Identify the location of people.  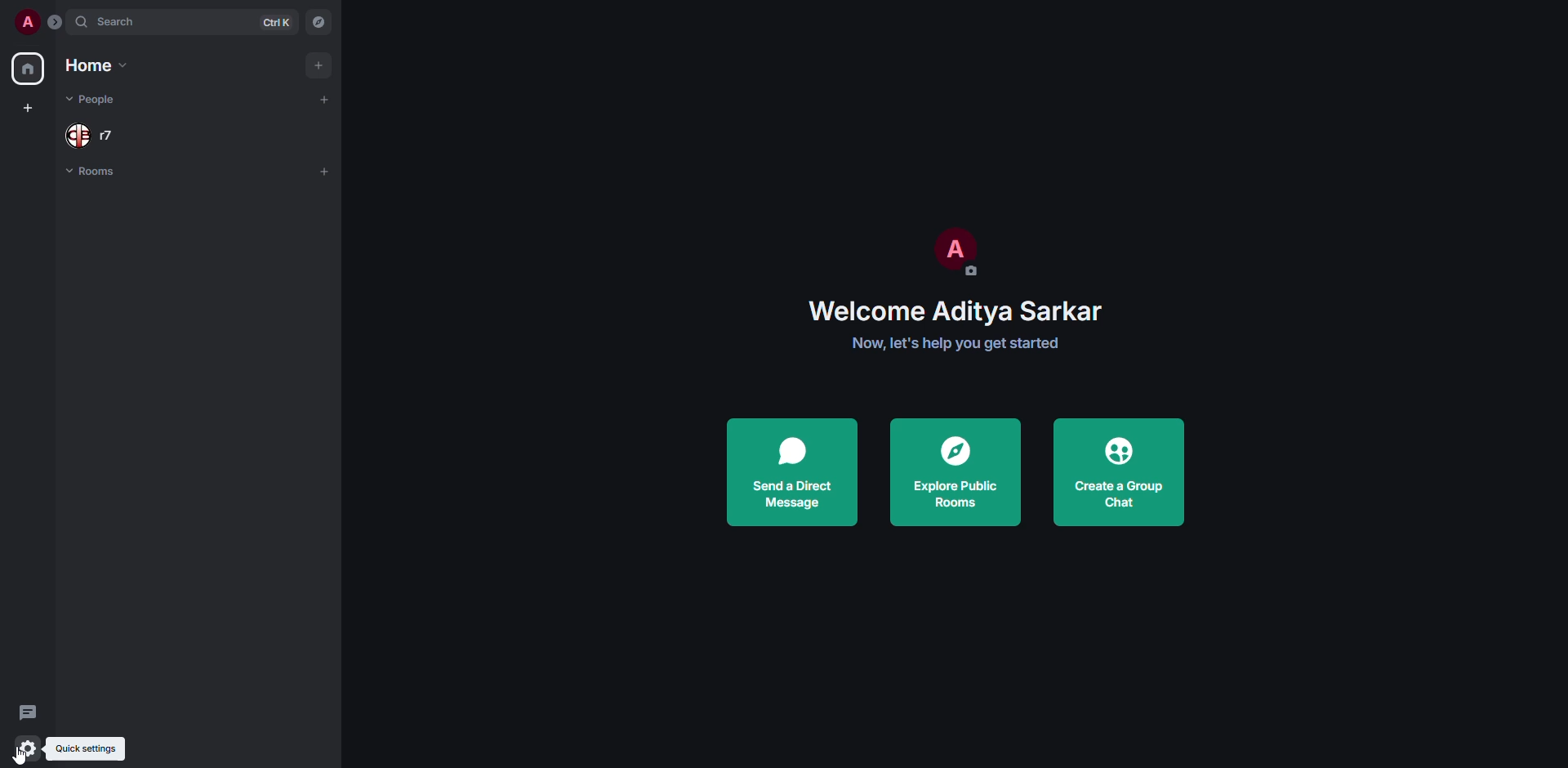
(100, 98).